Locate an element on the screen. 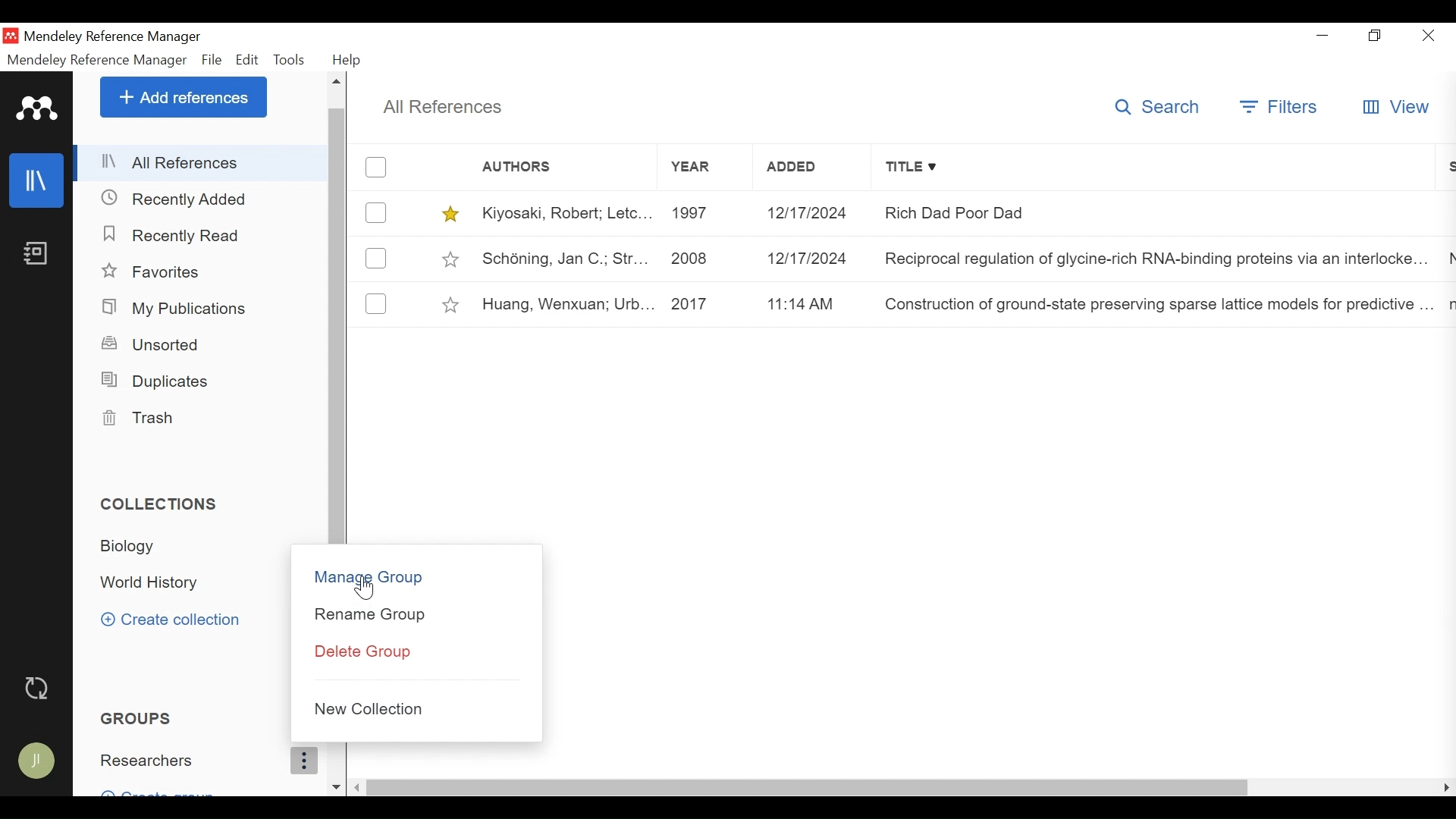 The image size is (1456, 819). Cursor is located at coordinates (366, 590).